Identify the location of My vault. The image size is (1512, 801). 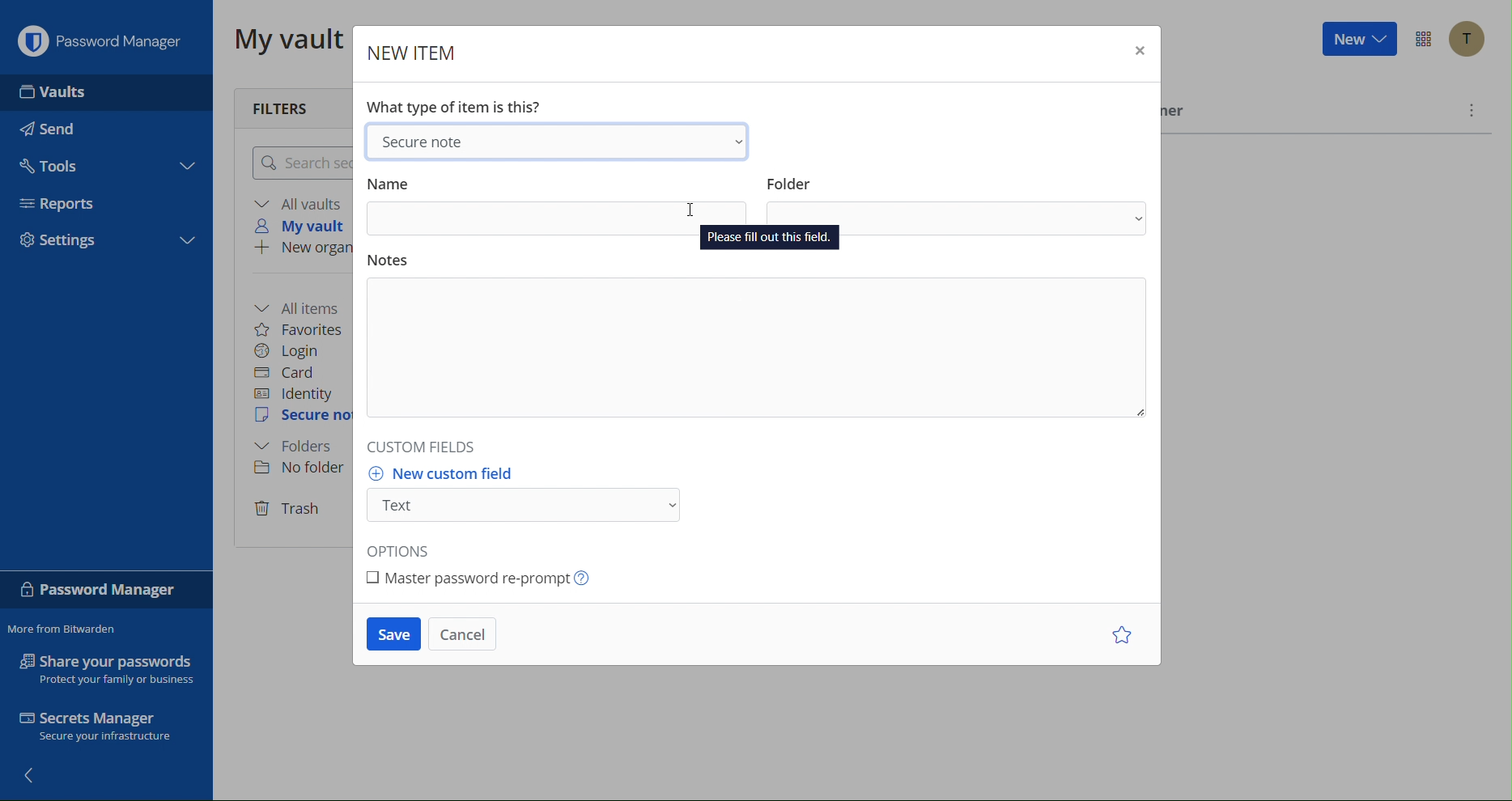
(306, 227).